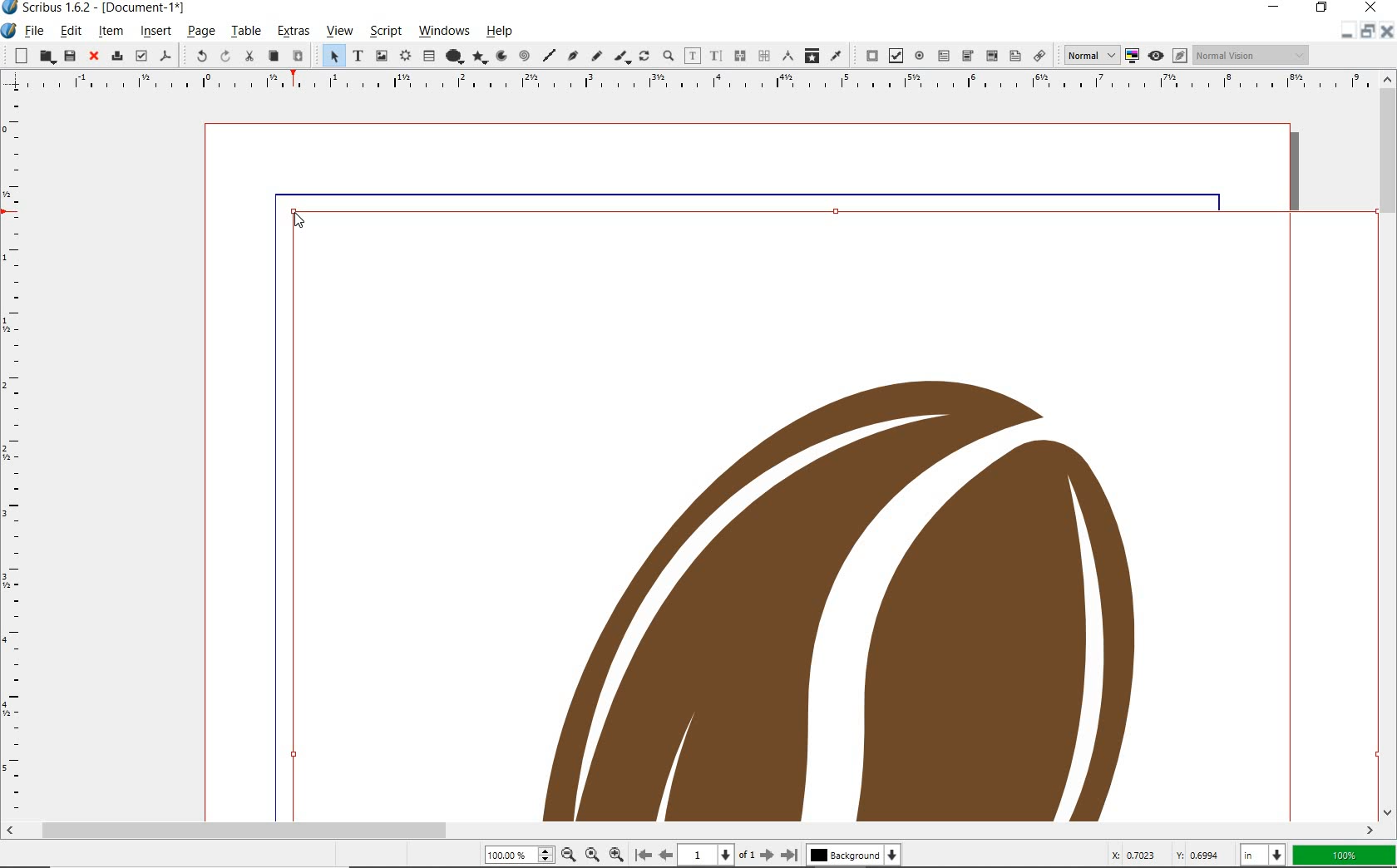 The height and width of the screenshot is (868, 1397). Describe the element at coordinates (548, 57) in the screenshot. I see `line` at that location.